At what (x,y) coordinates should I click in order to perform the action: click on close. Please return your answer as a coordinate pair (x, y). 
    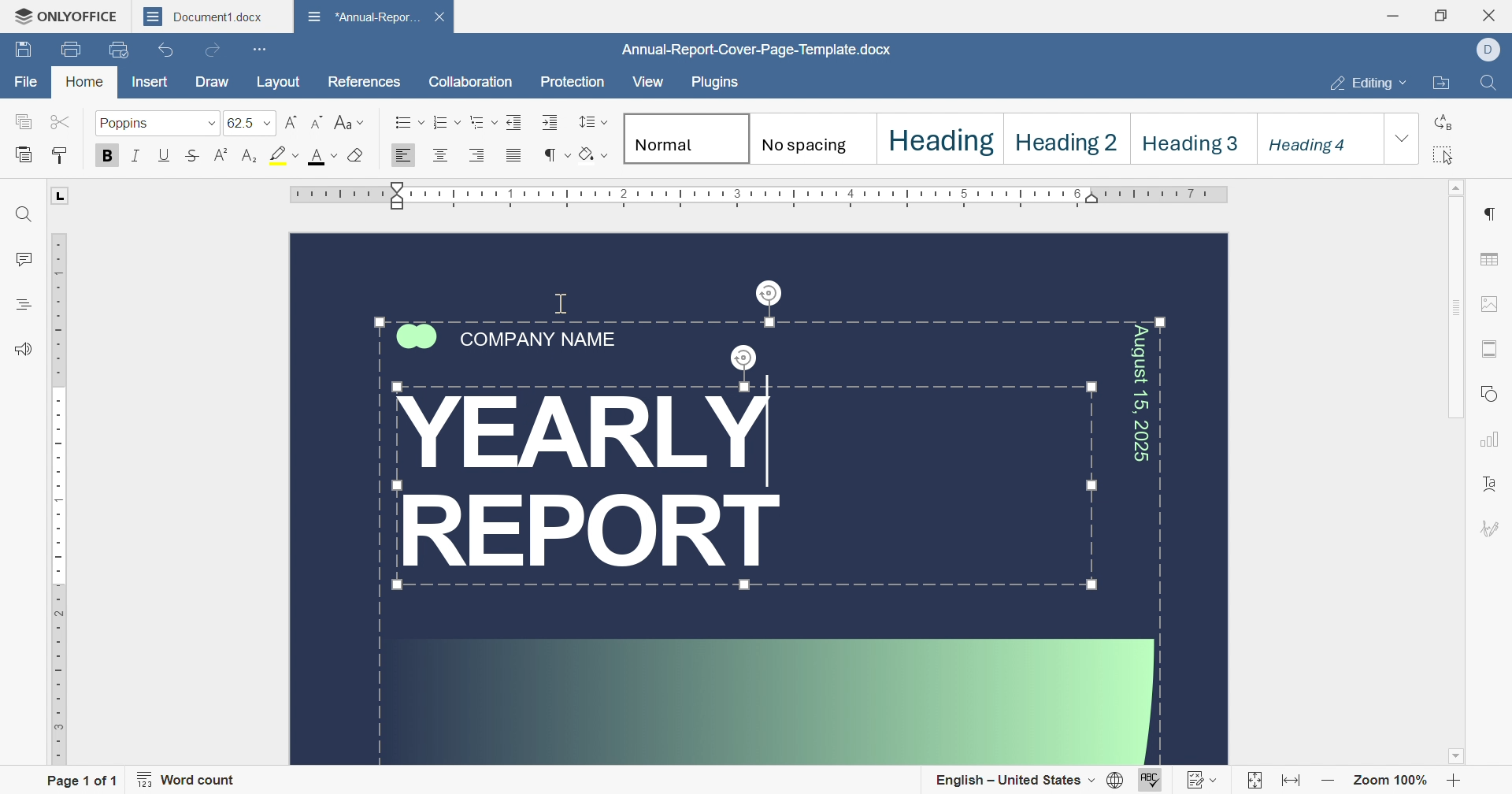
    Looking at the image, I should click on (440, 15).